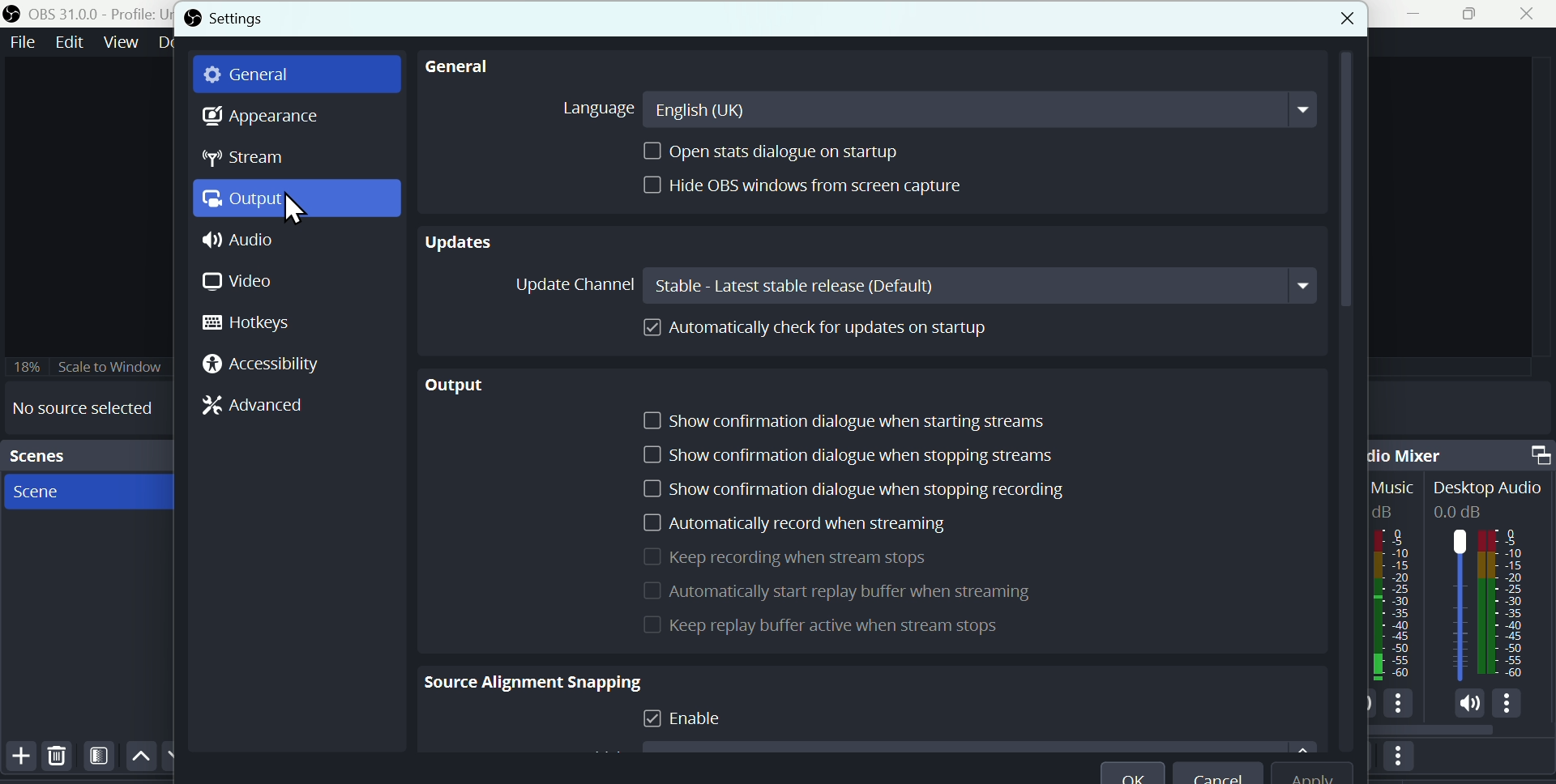  I want to click on General, so click(465, 68).